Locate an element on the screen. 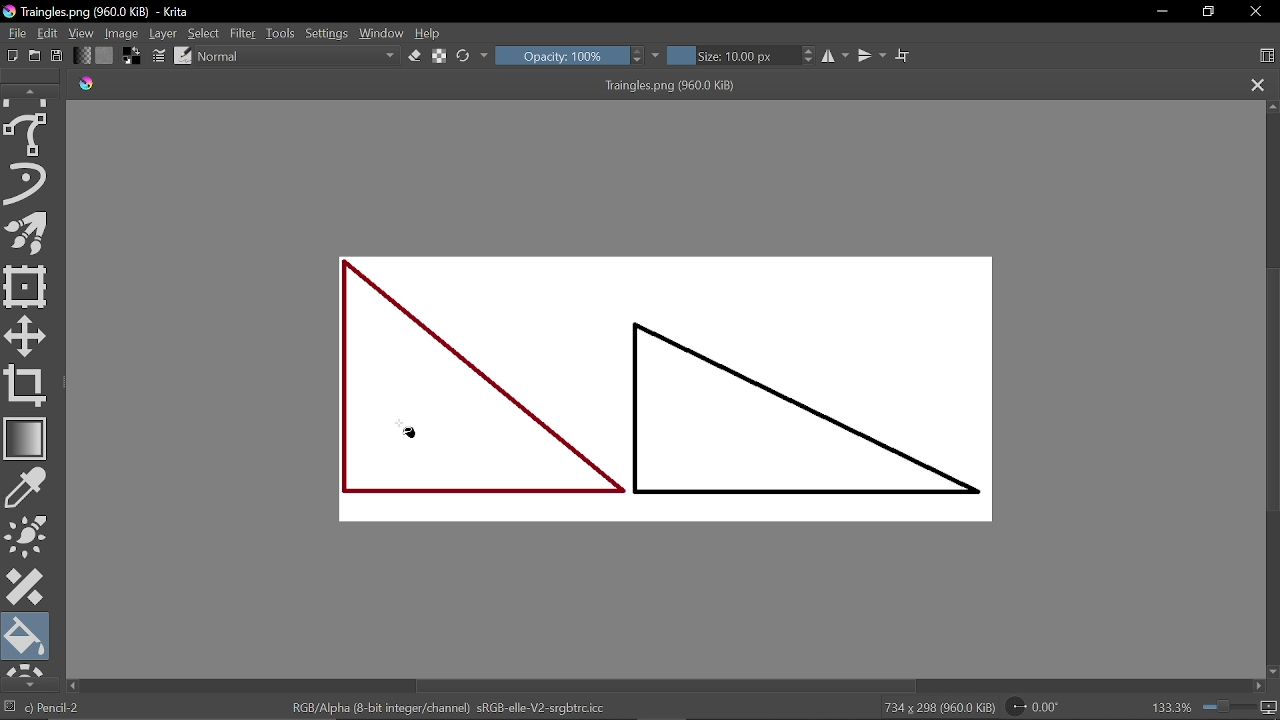 The image size is (1280, 720). 734 x 298 (960.0 KiB) is located at coordinates (936, 708).